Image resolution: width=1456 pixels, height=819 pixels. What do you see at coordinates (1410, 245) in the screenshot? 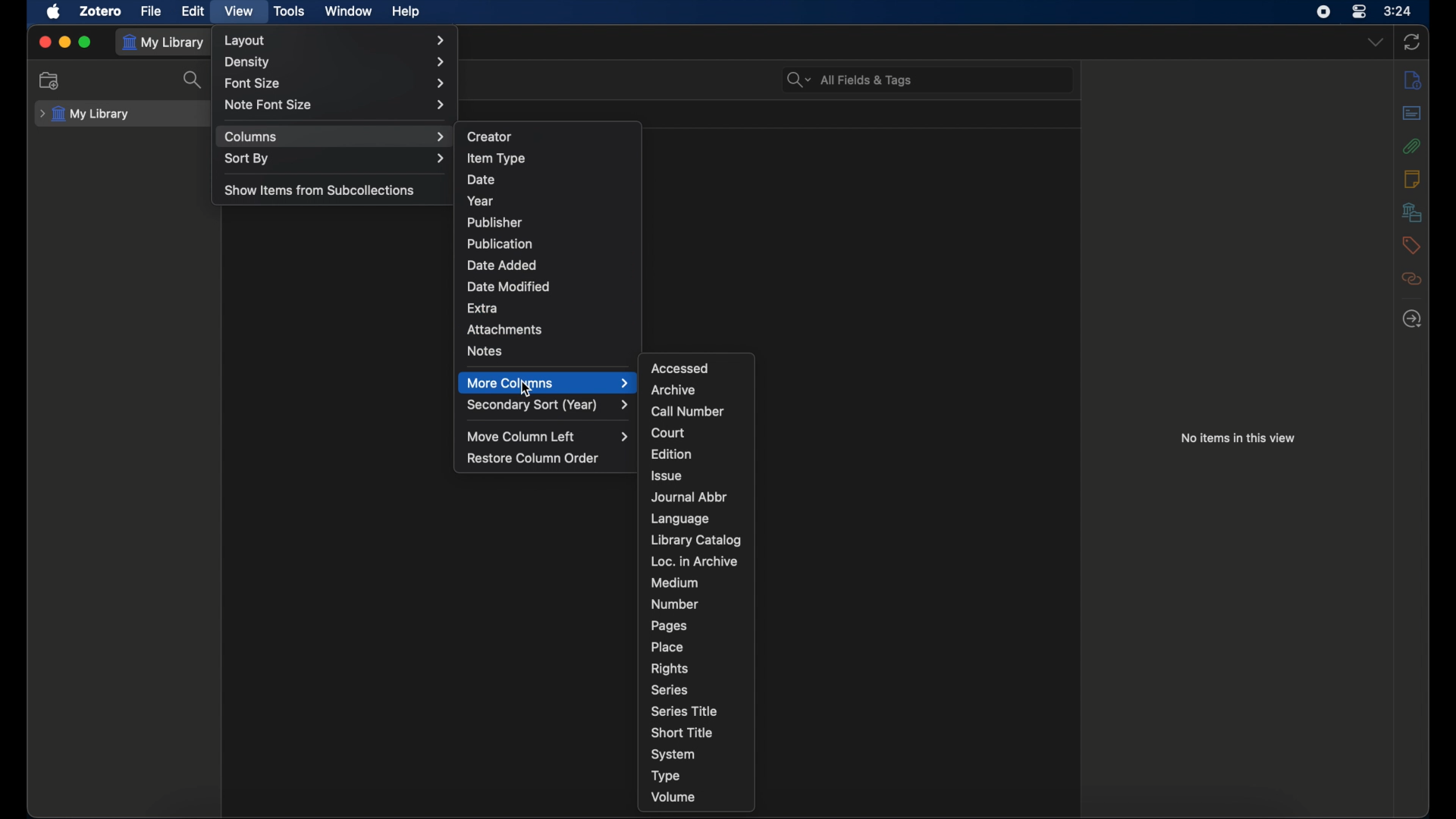
I see `tags` at bounding box center [1410, 245].